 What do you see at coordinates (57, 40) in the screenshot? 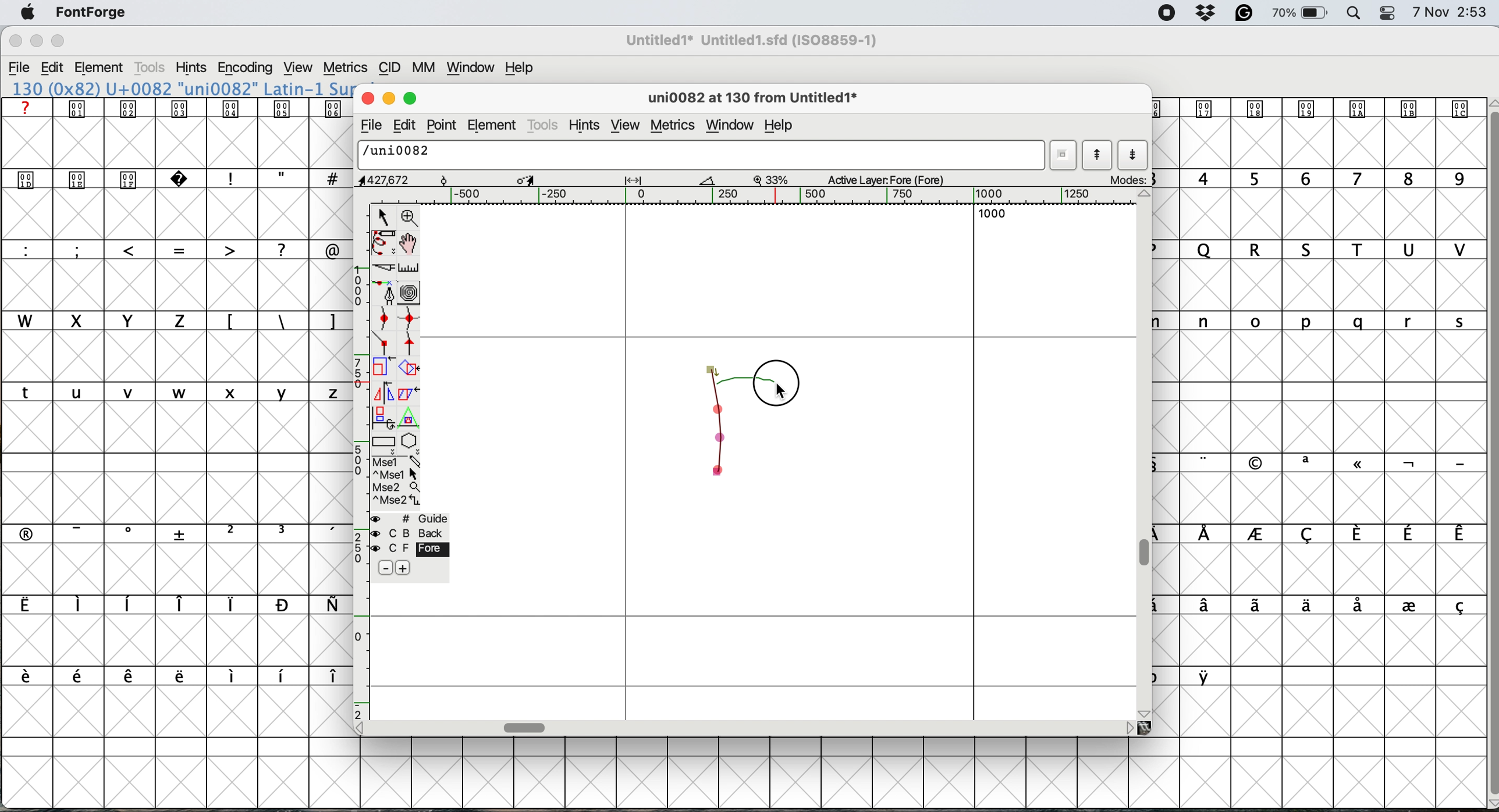
I see `maximise` at bounding box center [57, 40].